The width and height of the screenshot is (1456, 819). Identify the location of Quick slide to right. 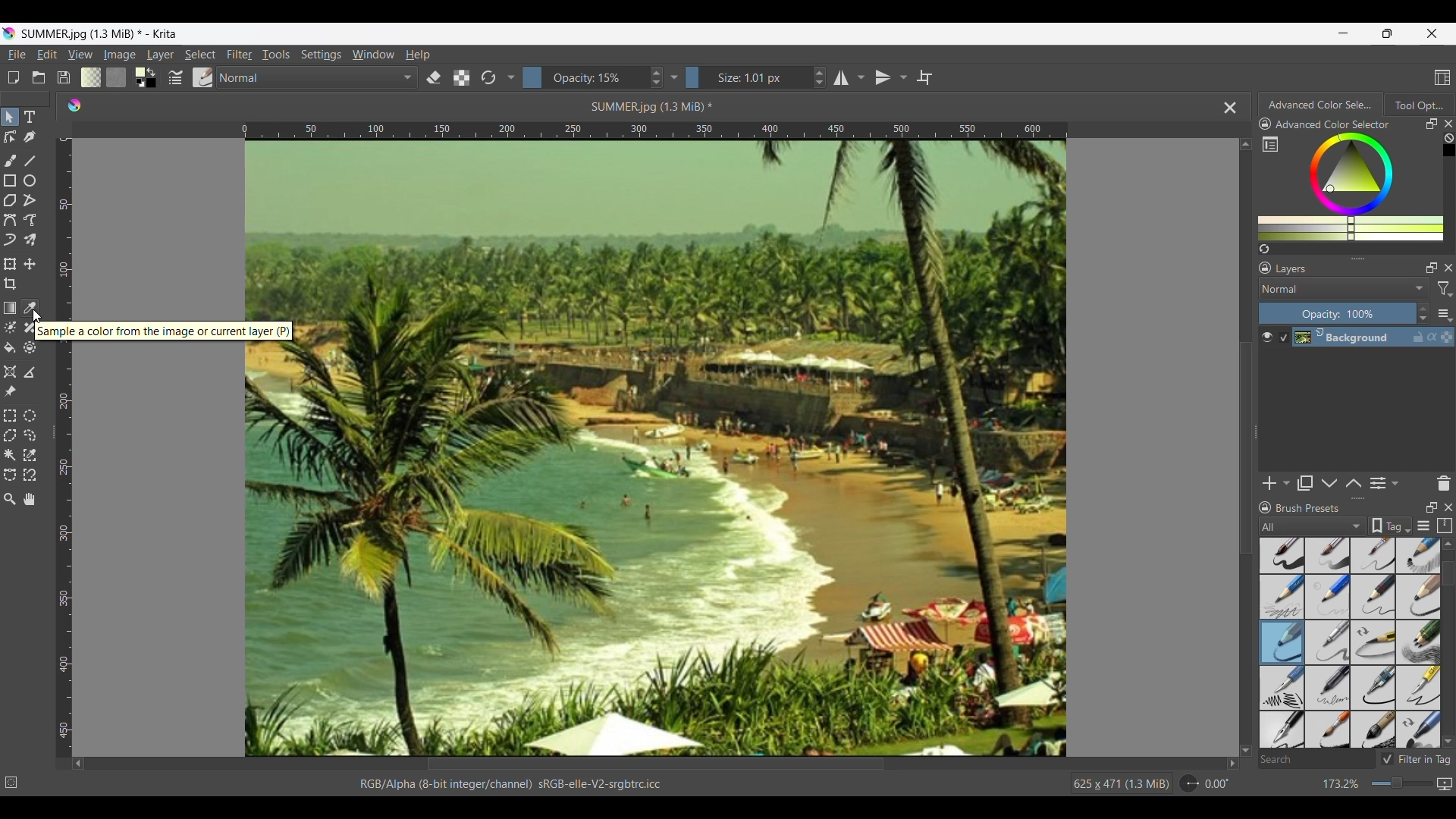
(1232, 764).